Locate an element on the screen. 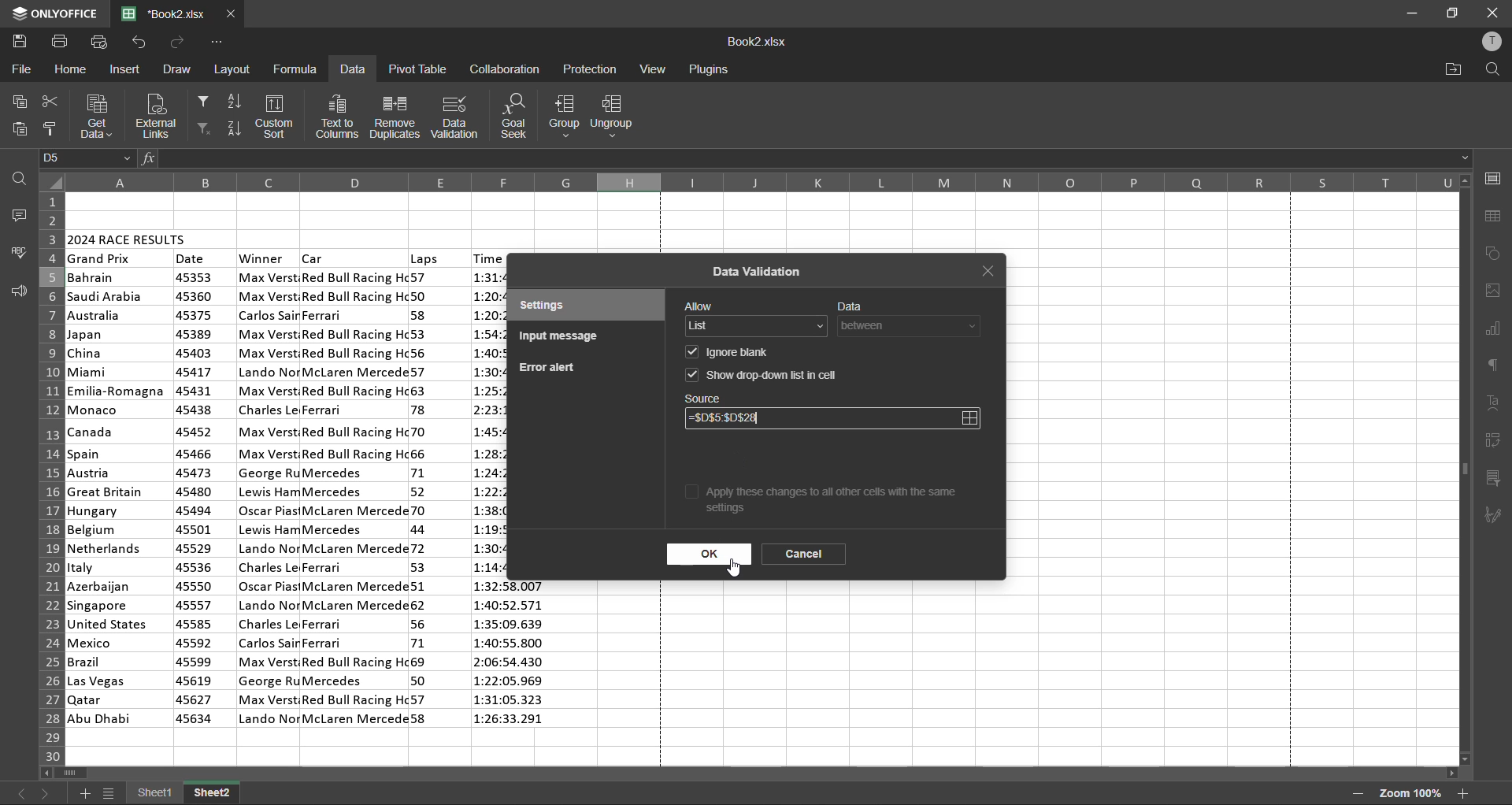 The height and width of the screenshot is (805, 1512). data is located at coordinates (352, 71).